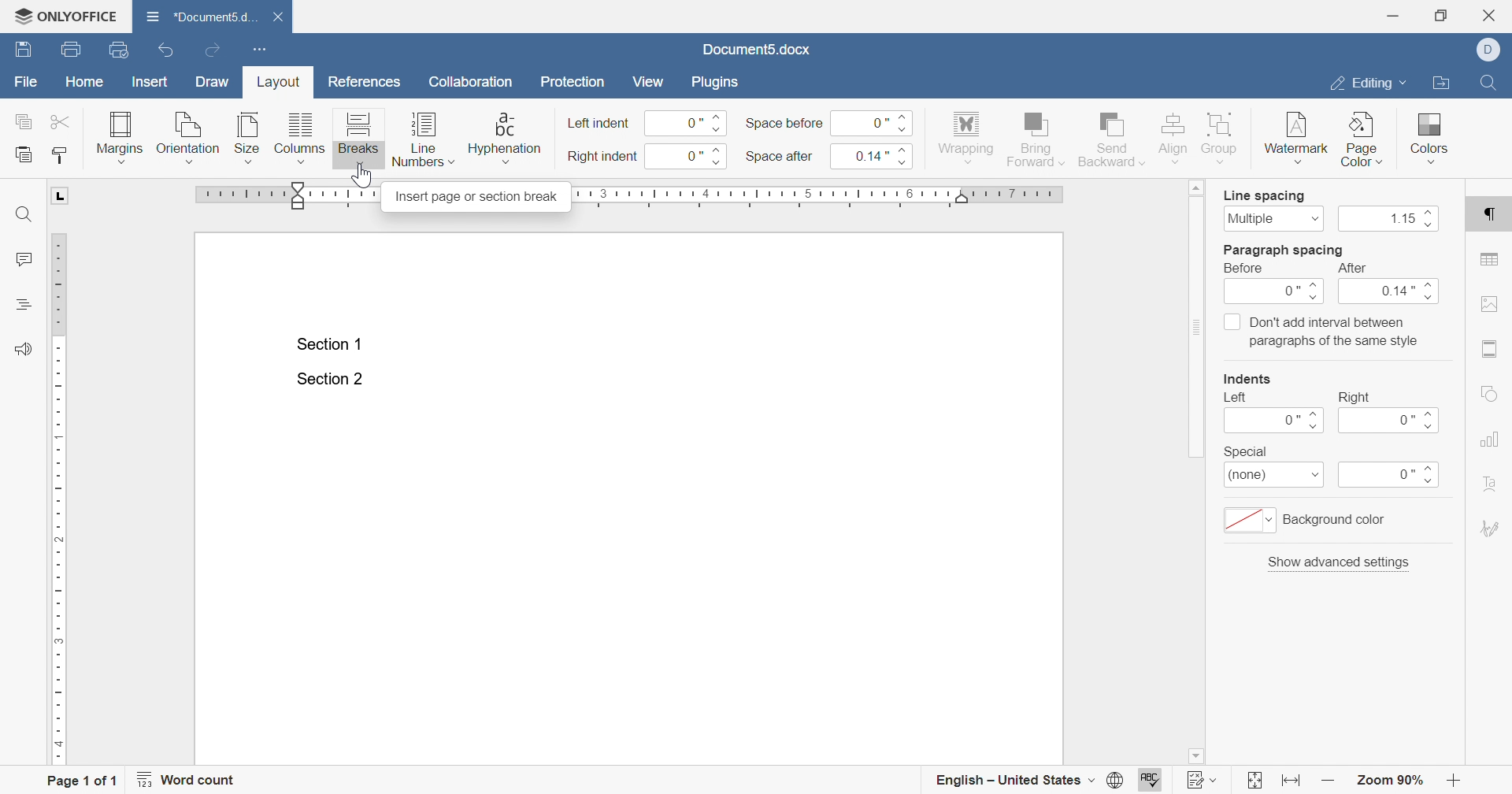 The image size is (1512, 794). What do you see at coordinates (188, 136) in the screenshot?
I see `orientation` at bounding box center [188, 136].